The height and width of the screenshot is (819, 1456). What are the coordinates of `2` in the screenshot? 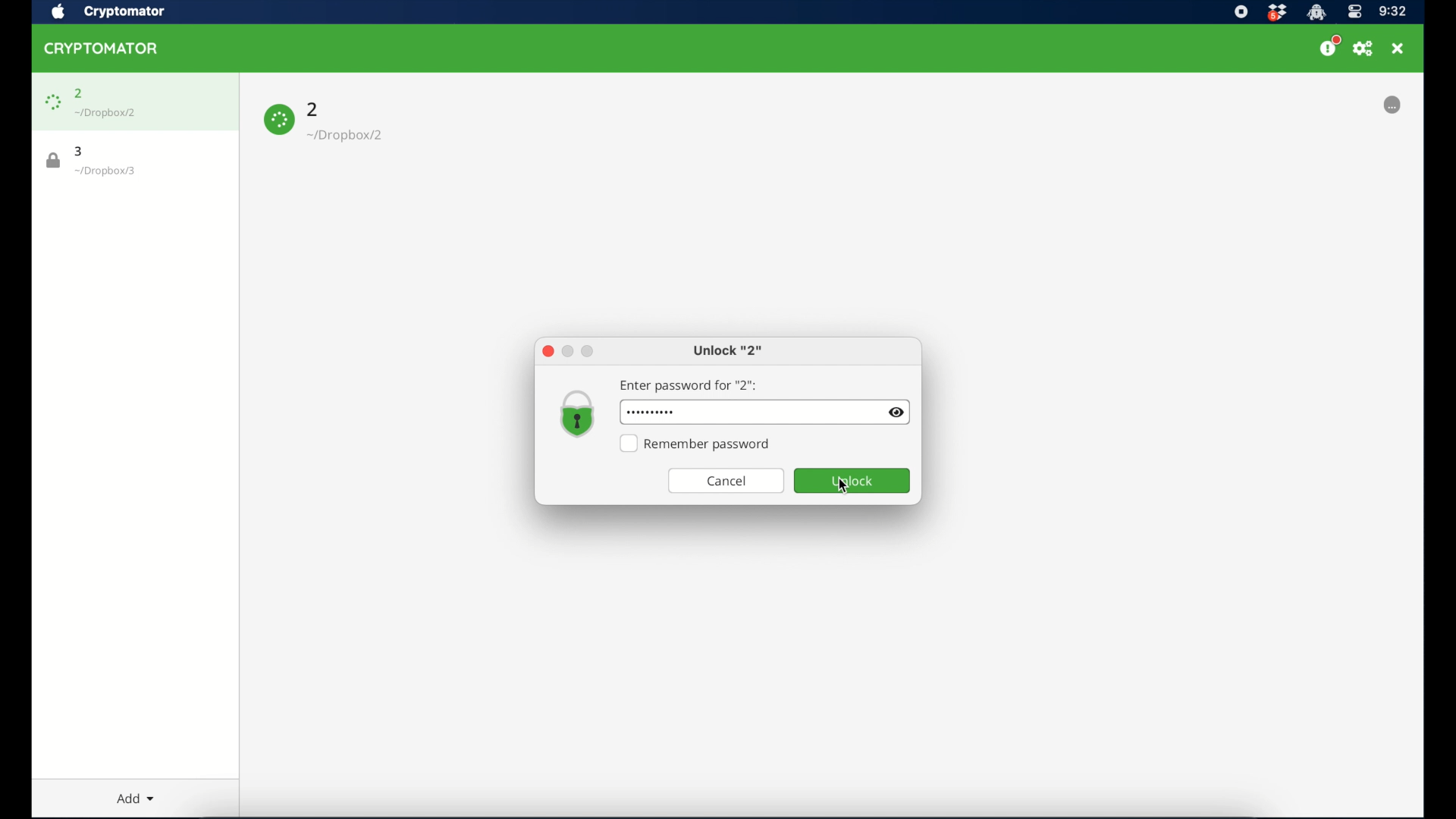 It's located at (314, 109).